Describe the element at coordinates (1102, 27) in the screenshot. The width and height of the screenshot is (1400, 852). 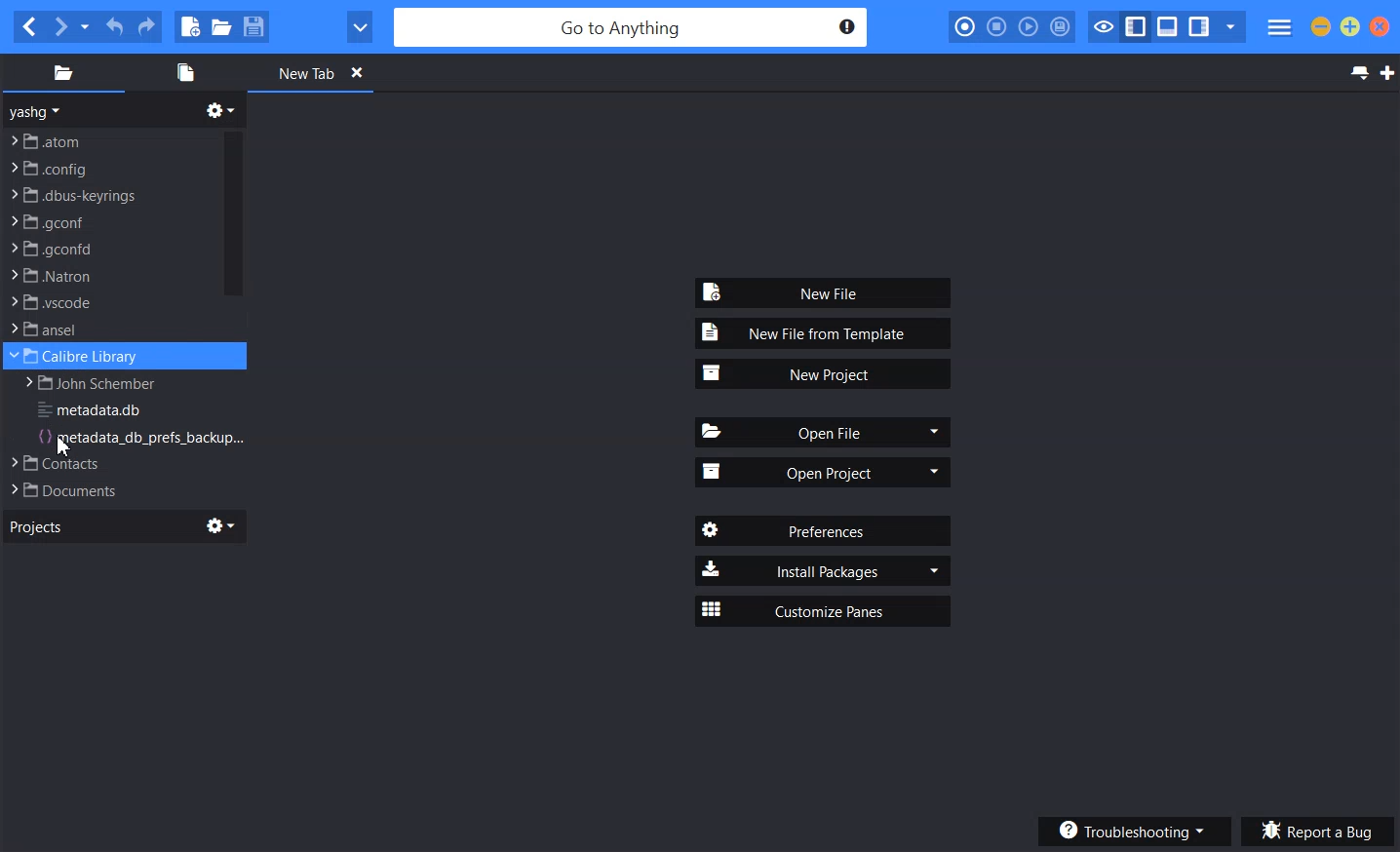
I see `Toggle Focus Mode` at that location.